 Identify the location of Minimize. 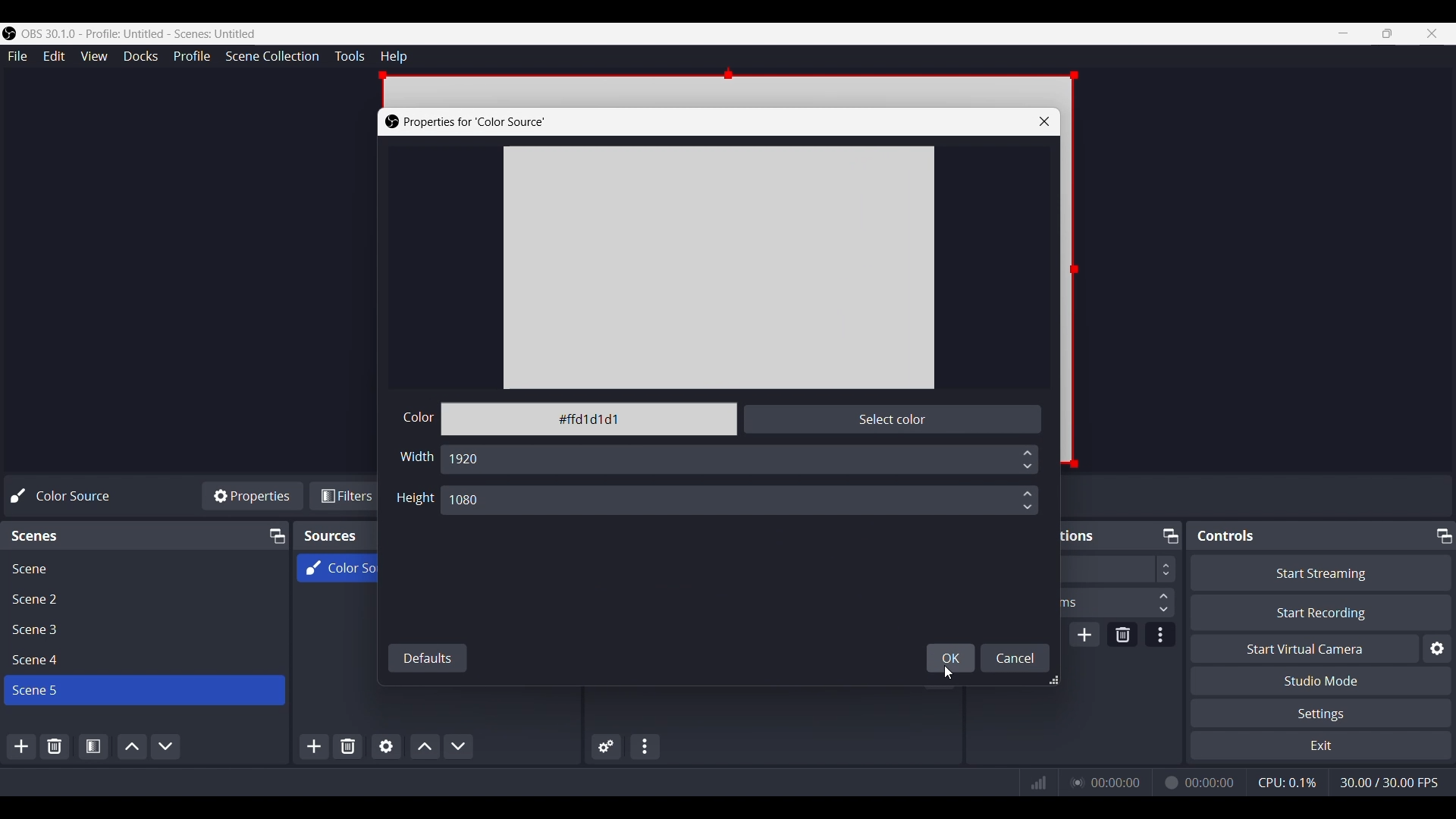
(1344, 34).